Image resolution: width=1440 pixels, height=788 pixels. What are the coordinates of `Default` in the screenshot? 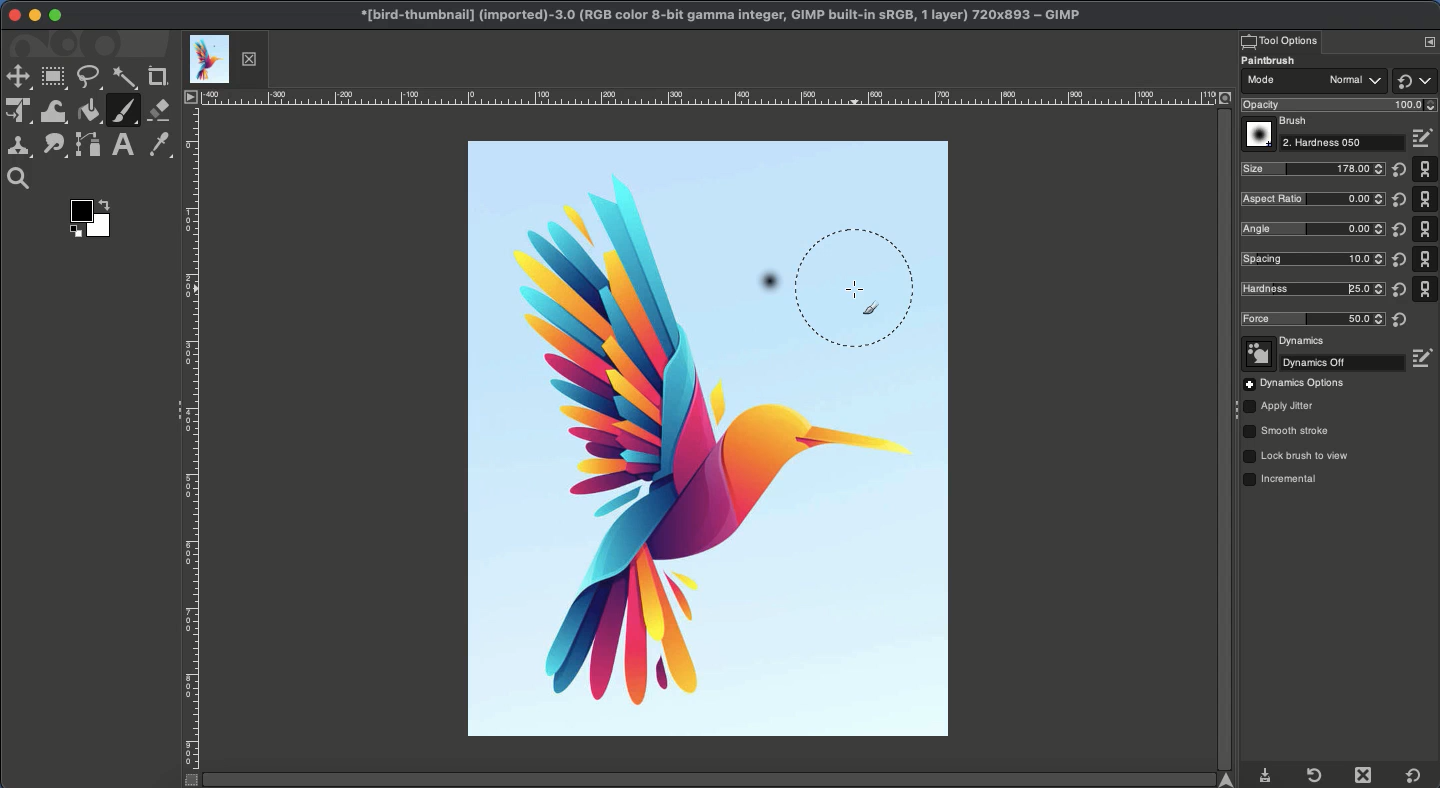 It's located at (1414, 80).